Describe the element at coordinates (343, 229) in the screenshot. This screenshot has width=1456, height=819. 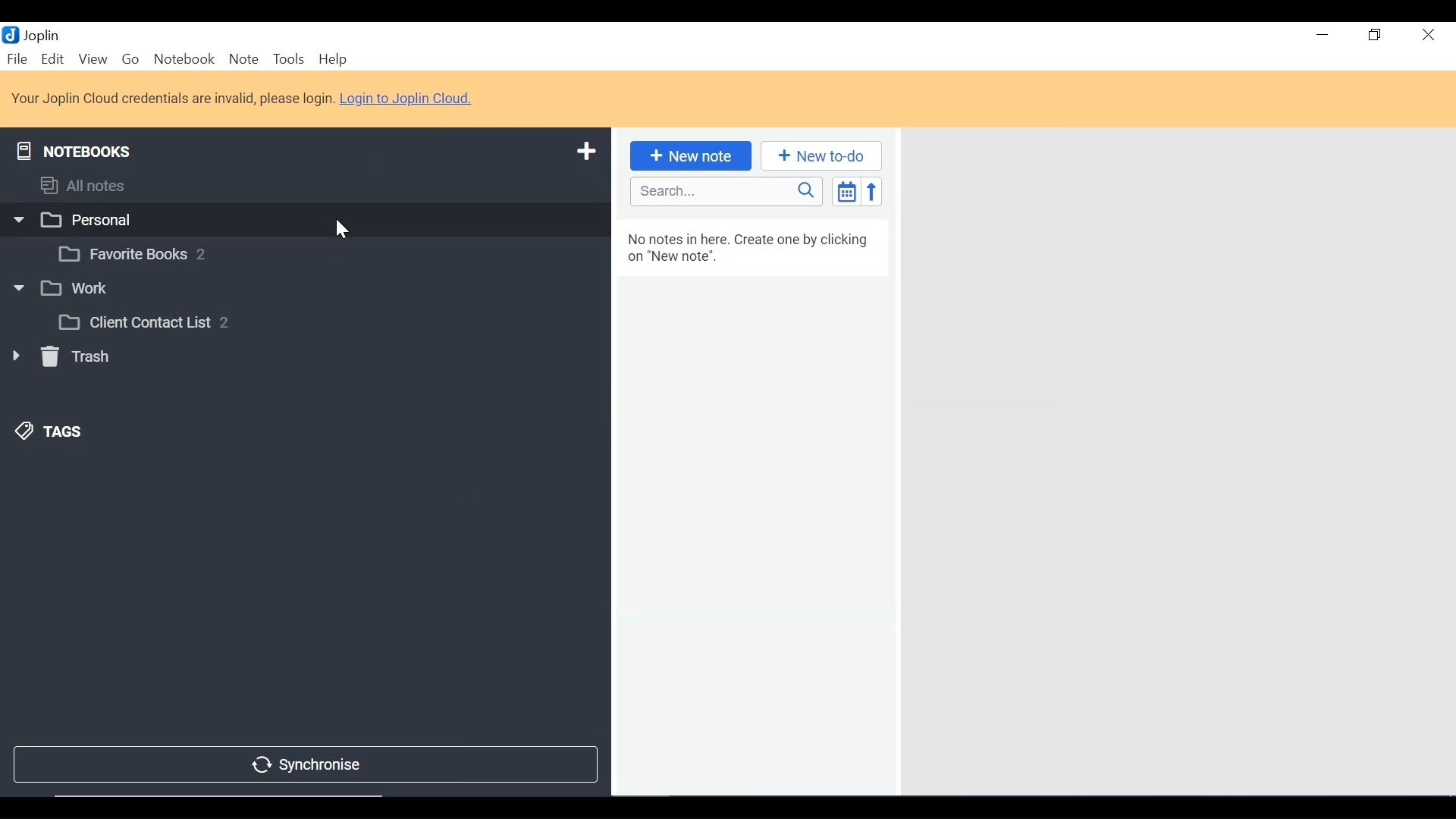
I see `Cursor` at that location.